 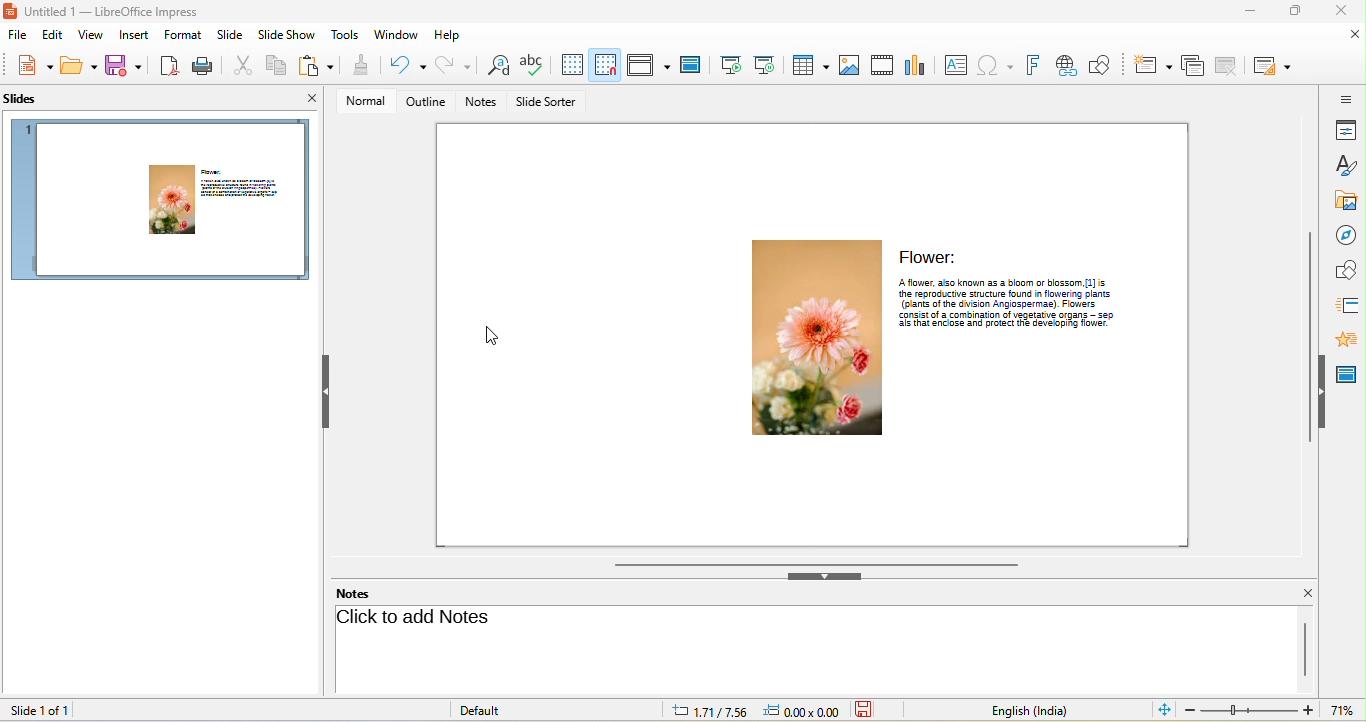 I want to click on print, so click(x=200, y=65).